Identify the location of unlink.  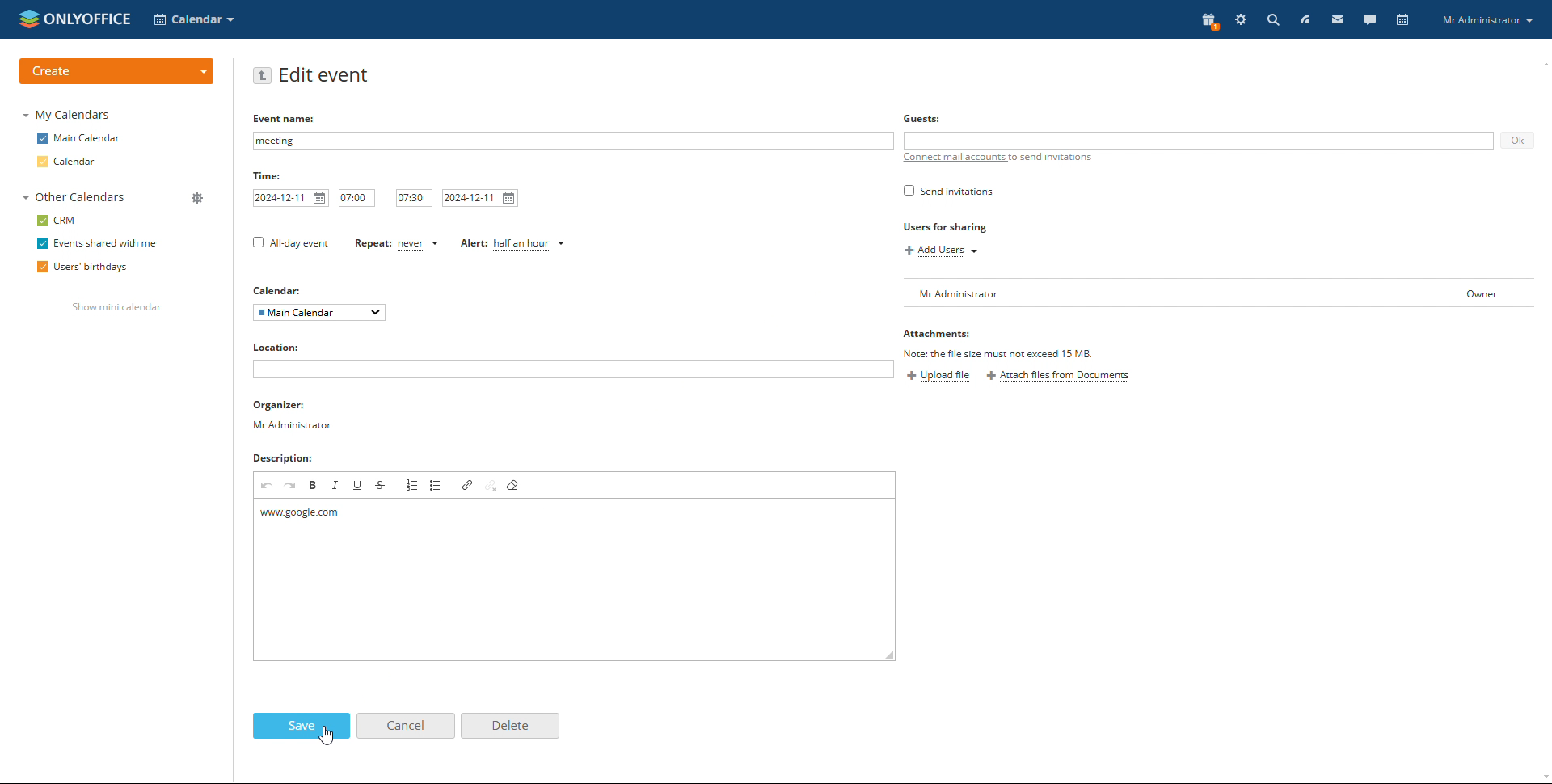
(492, 487).